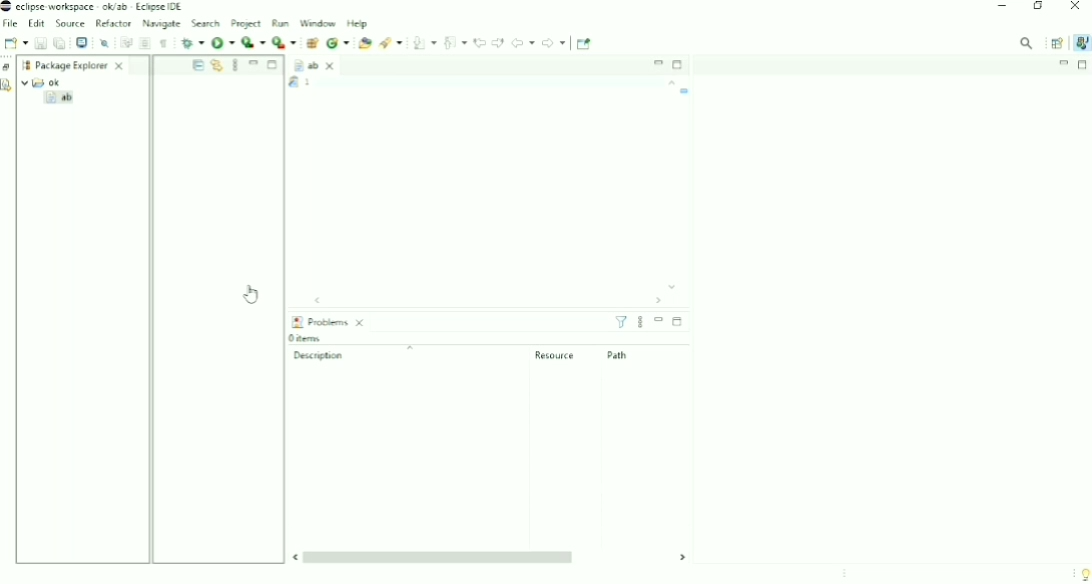 The image size is (1092, 584). Describe the element at coordinates (489, 557) in the screenshot. I see `Horizontal scrollbar` at that location.